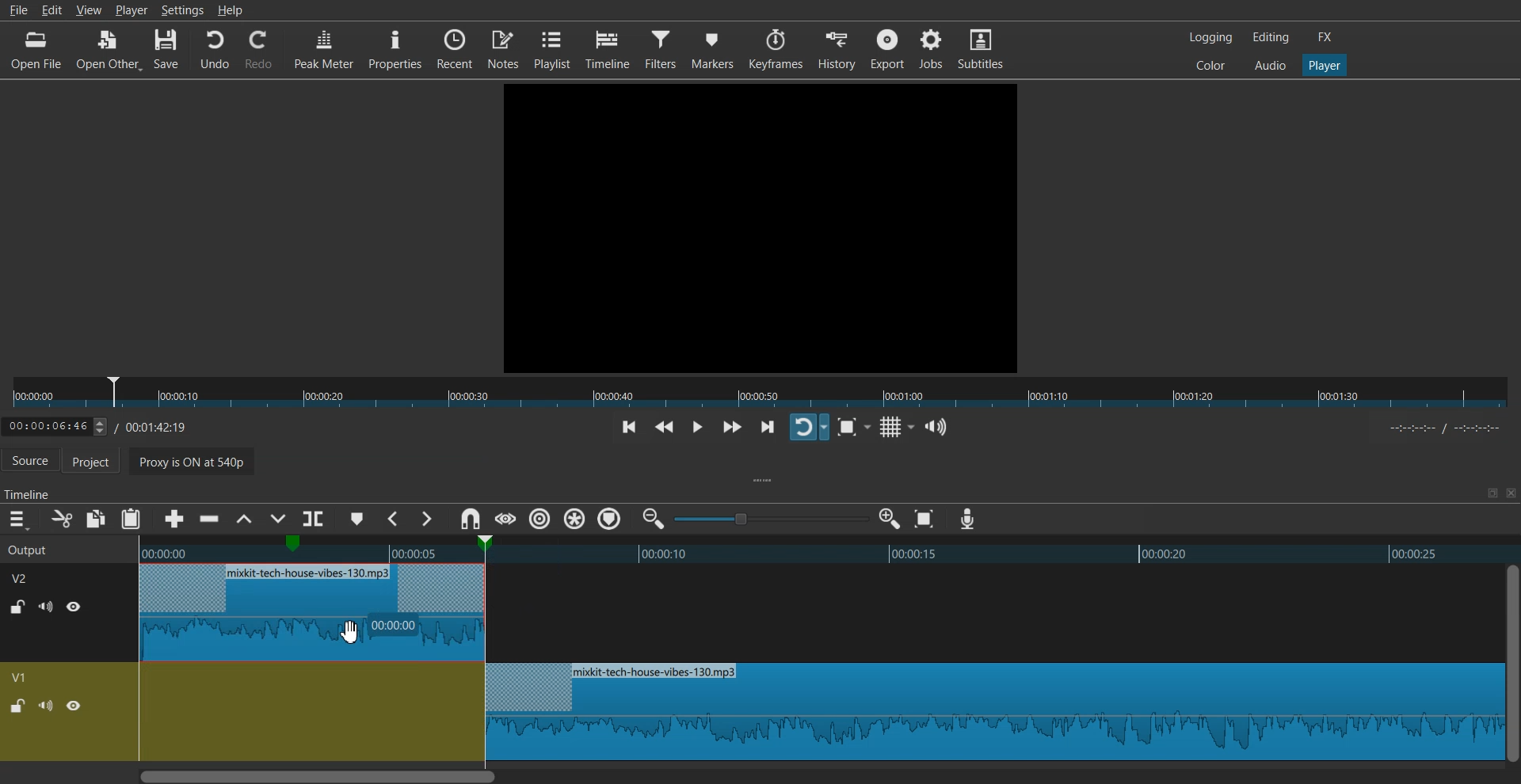  I want to click on Split at playhead, so click(316, 516).